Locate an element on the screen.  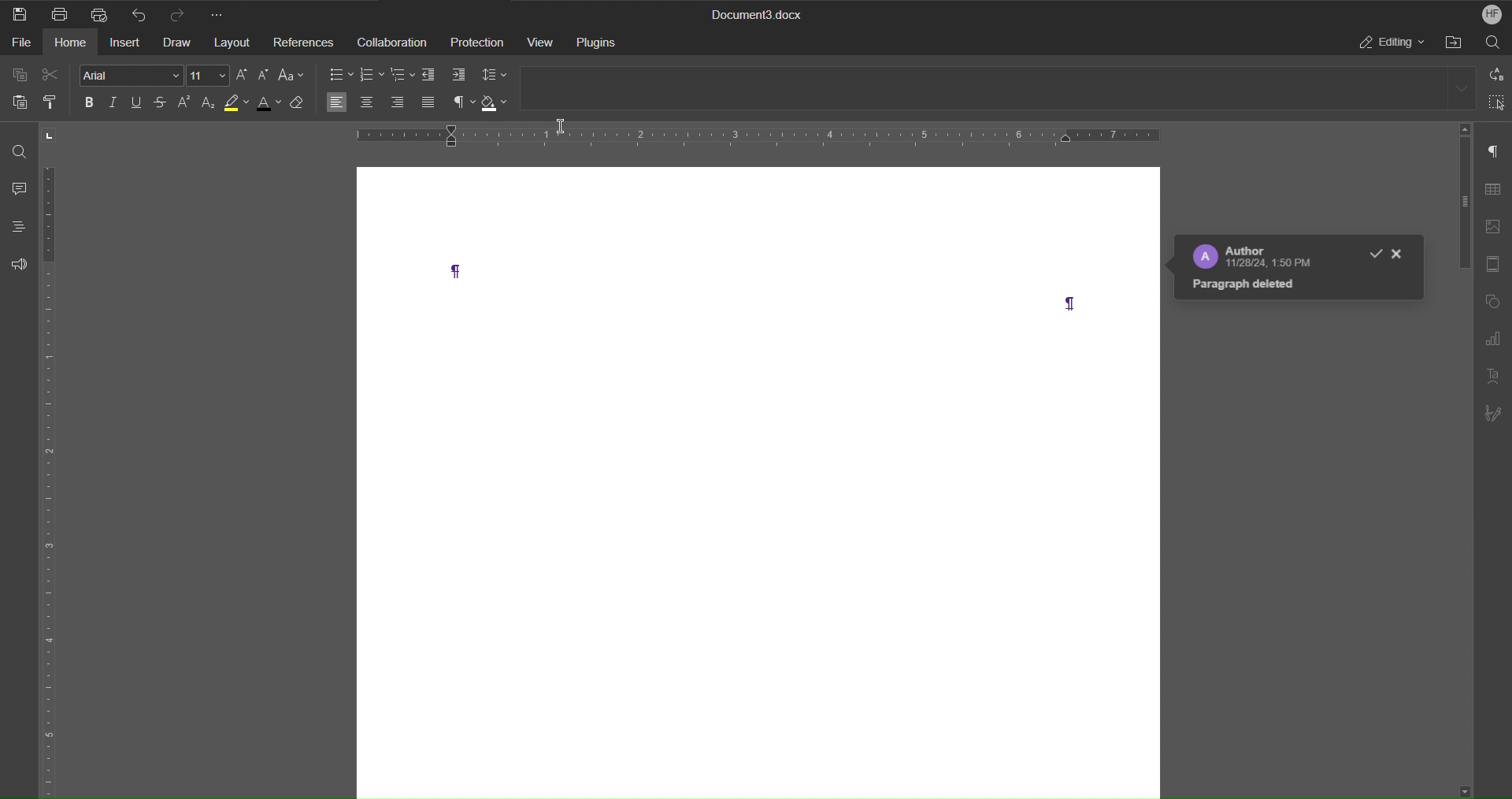
Nonprinting characters is located at coordinates (465, 102).